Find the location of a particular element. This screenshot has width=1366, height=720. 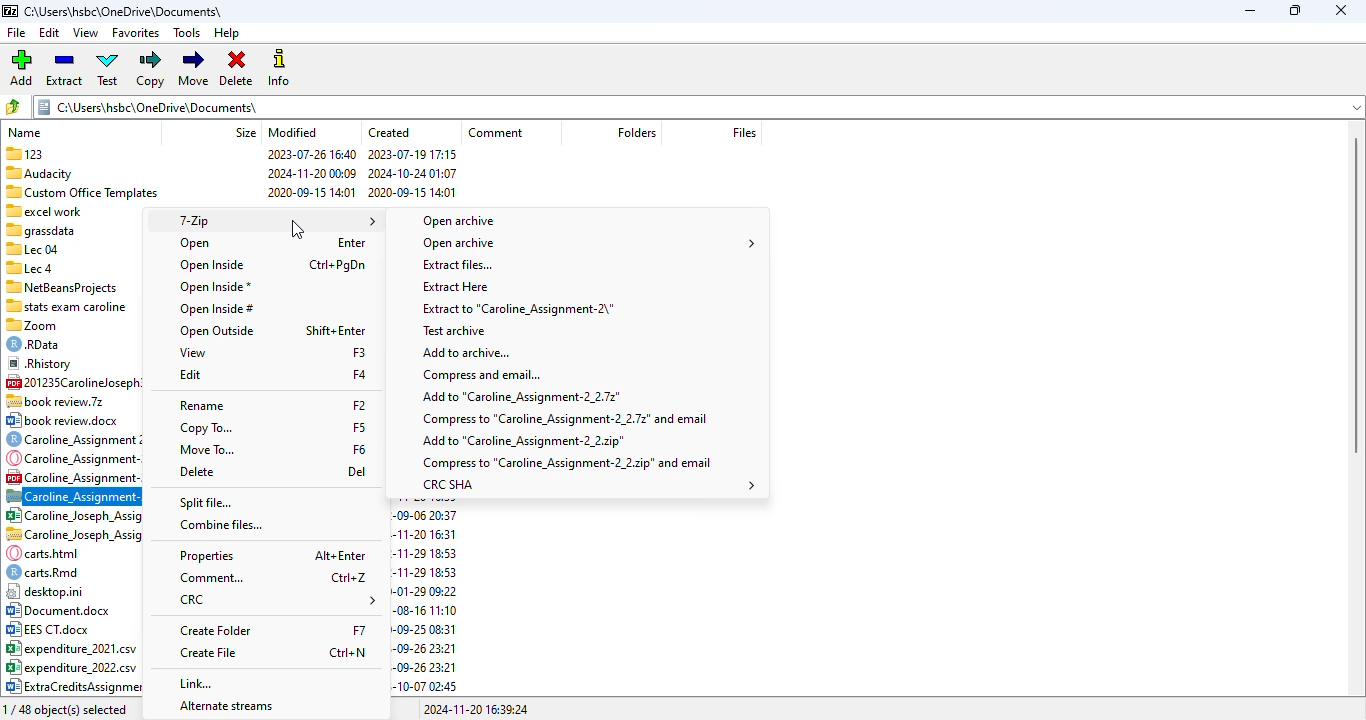

files is located at coordinates (741, 132).